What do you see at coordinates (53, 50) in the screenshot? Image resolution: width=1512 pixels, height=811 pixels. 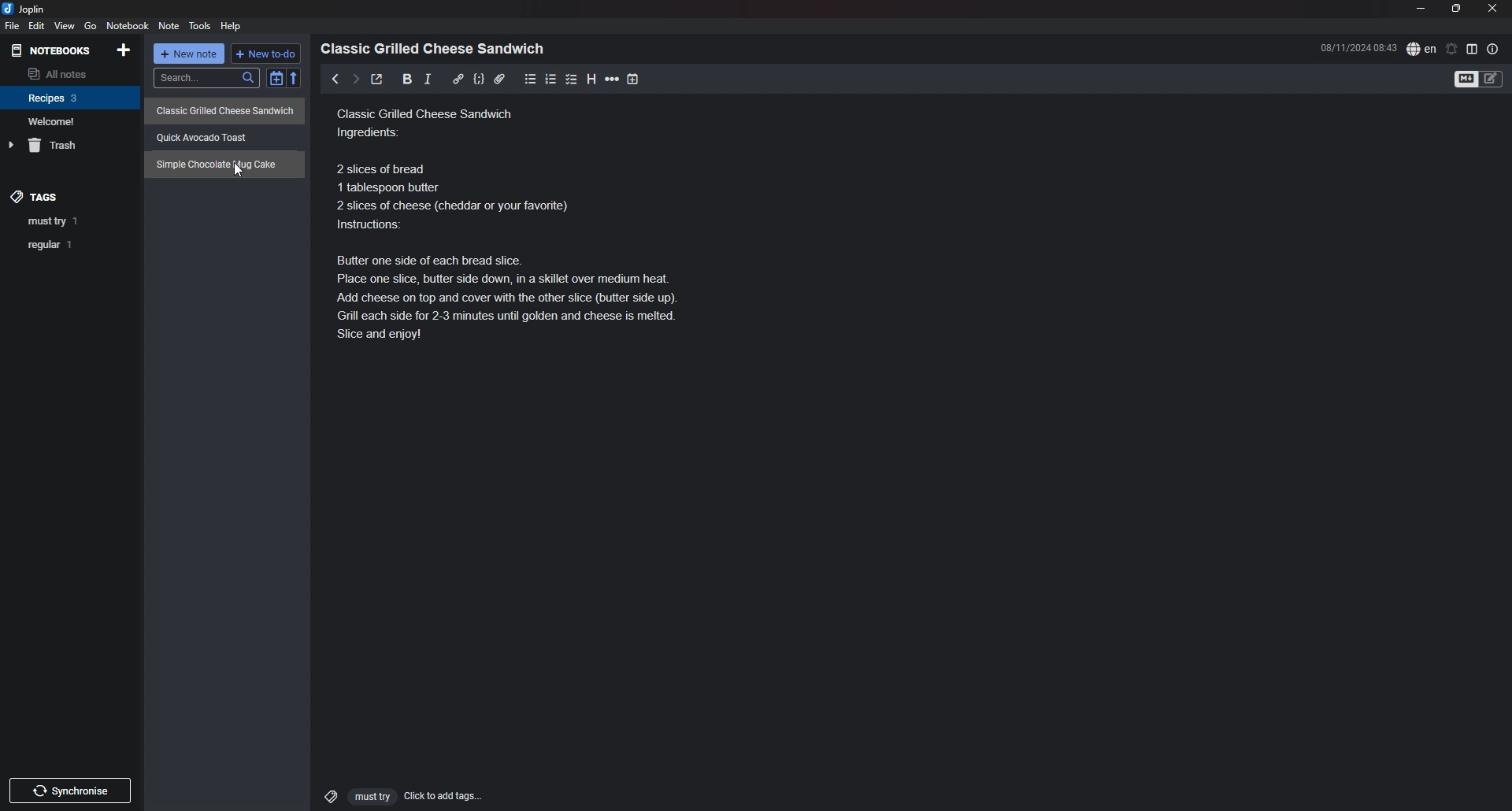 I see `notebooks` at bounding box center [53, 50].